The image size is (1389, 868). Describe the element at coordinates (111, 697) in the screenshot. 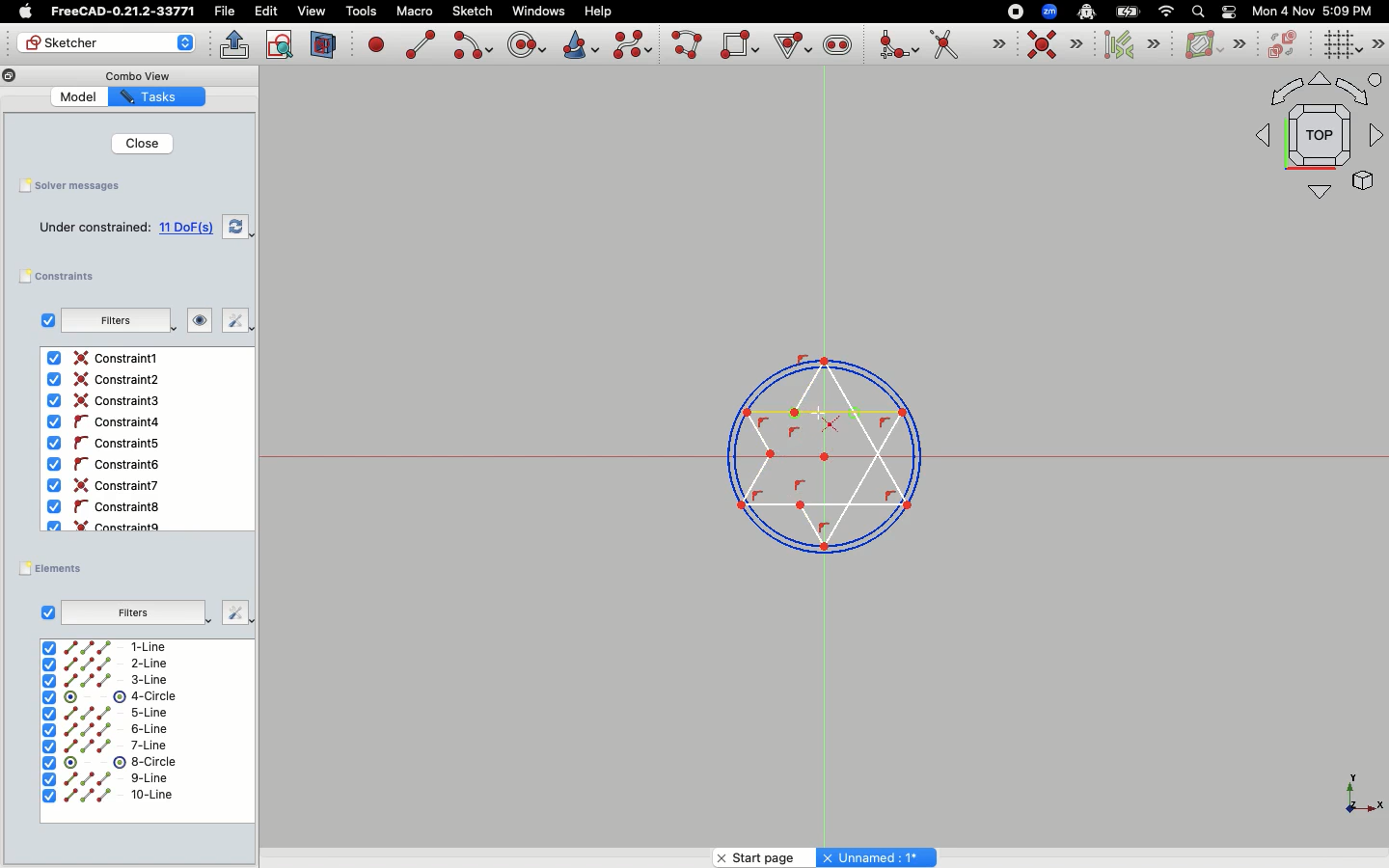

I see `4-Circle` at that location.